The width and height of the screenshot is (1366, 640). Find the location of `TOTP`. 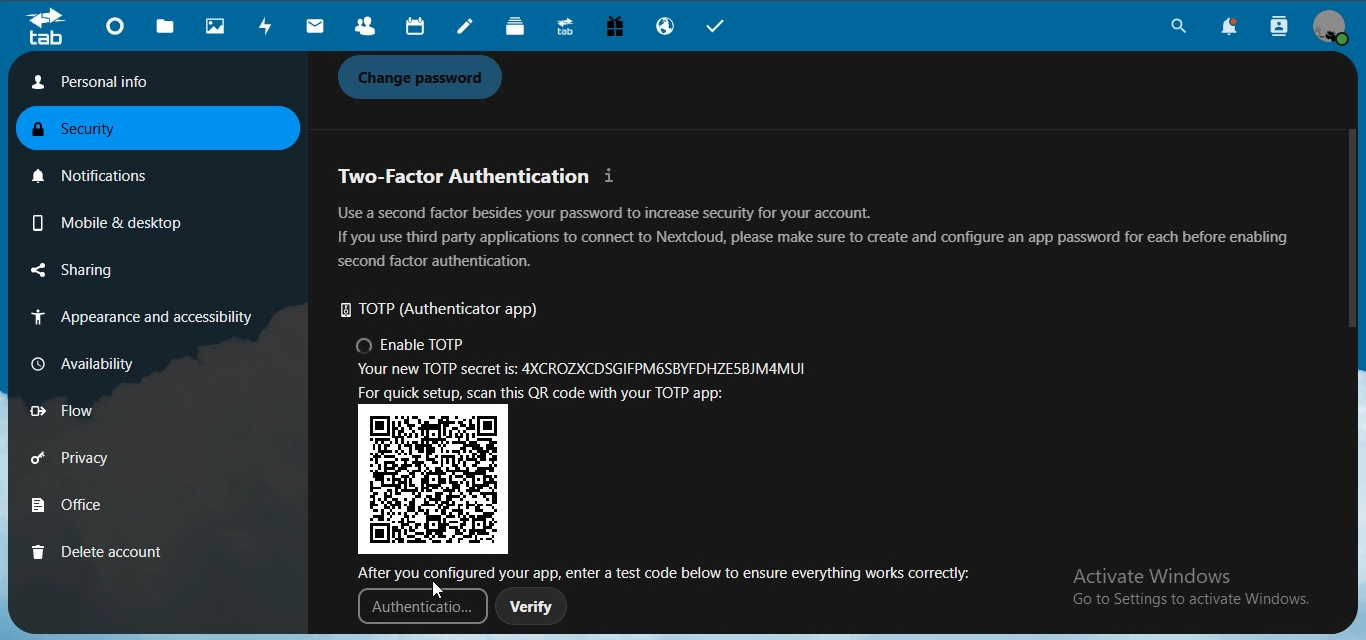

TOTP is located at coordinates (450, 311).